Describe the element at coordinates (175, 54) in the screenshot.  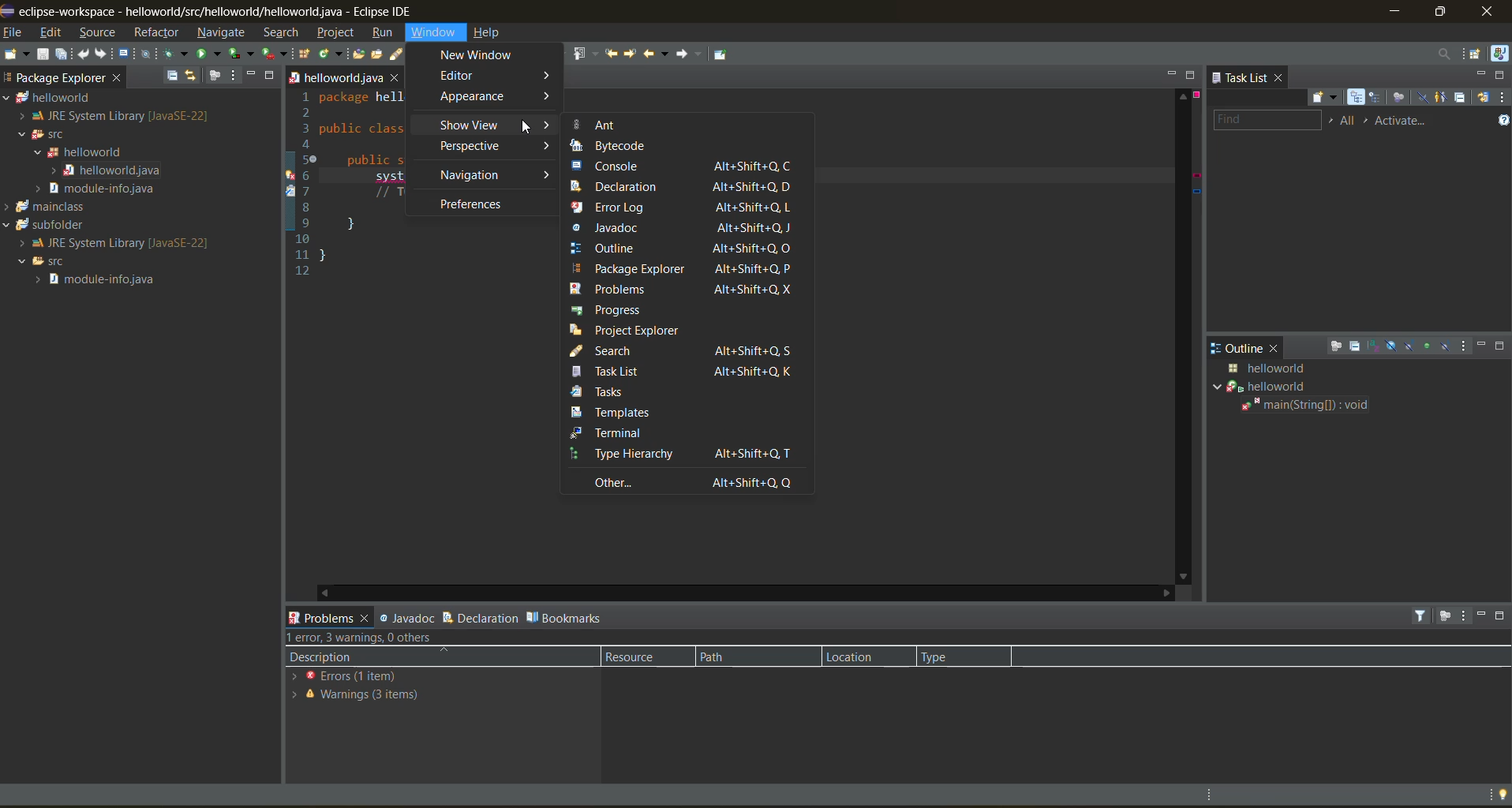
I see `debug` at that location.